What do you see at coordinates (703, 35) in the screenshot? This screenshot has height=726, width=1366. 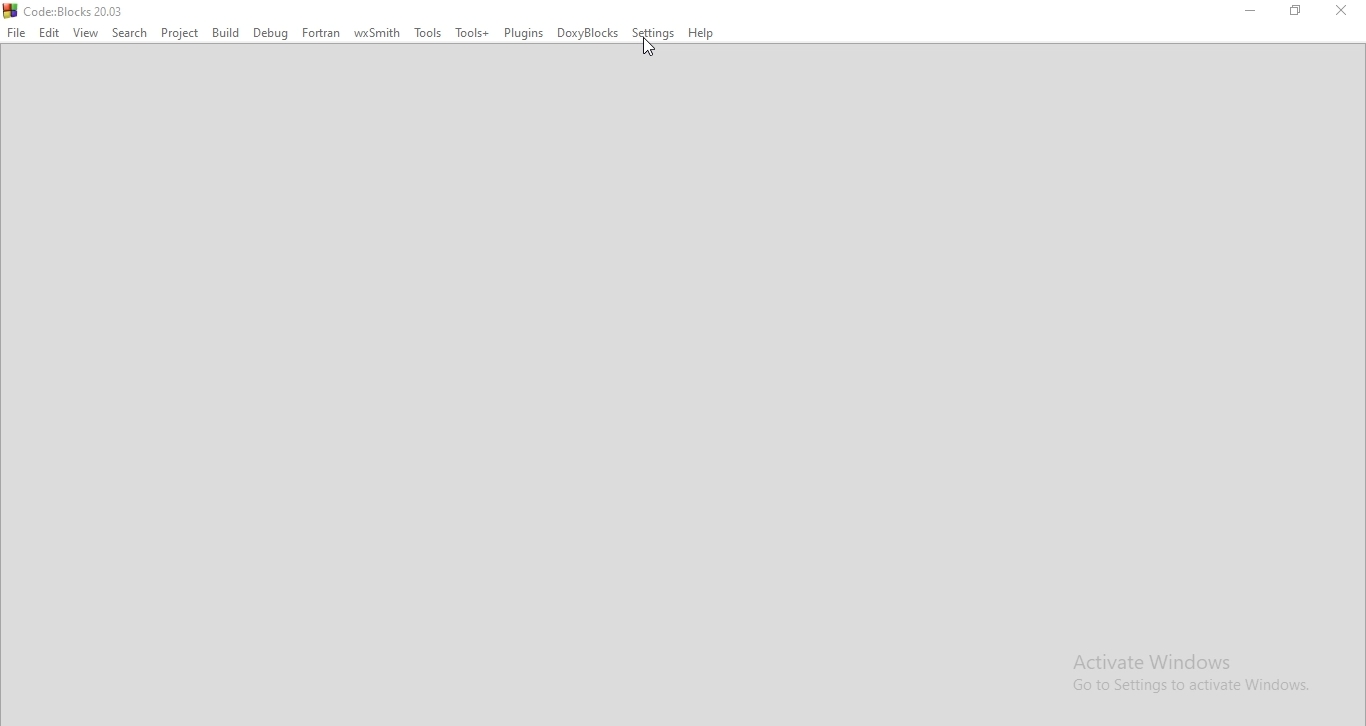 I see `Help` at bounding box center [703, 35].